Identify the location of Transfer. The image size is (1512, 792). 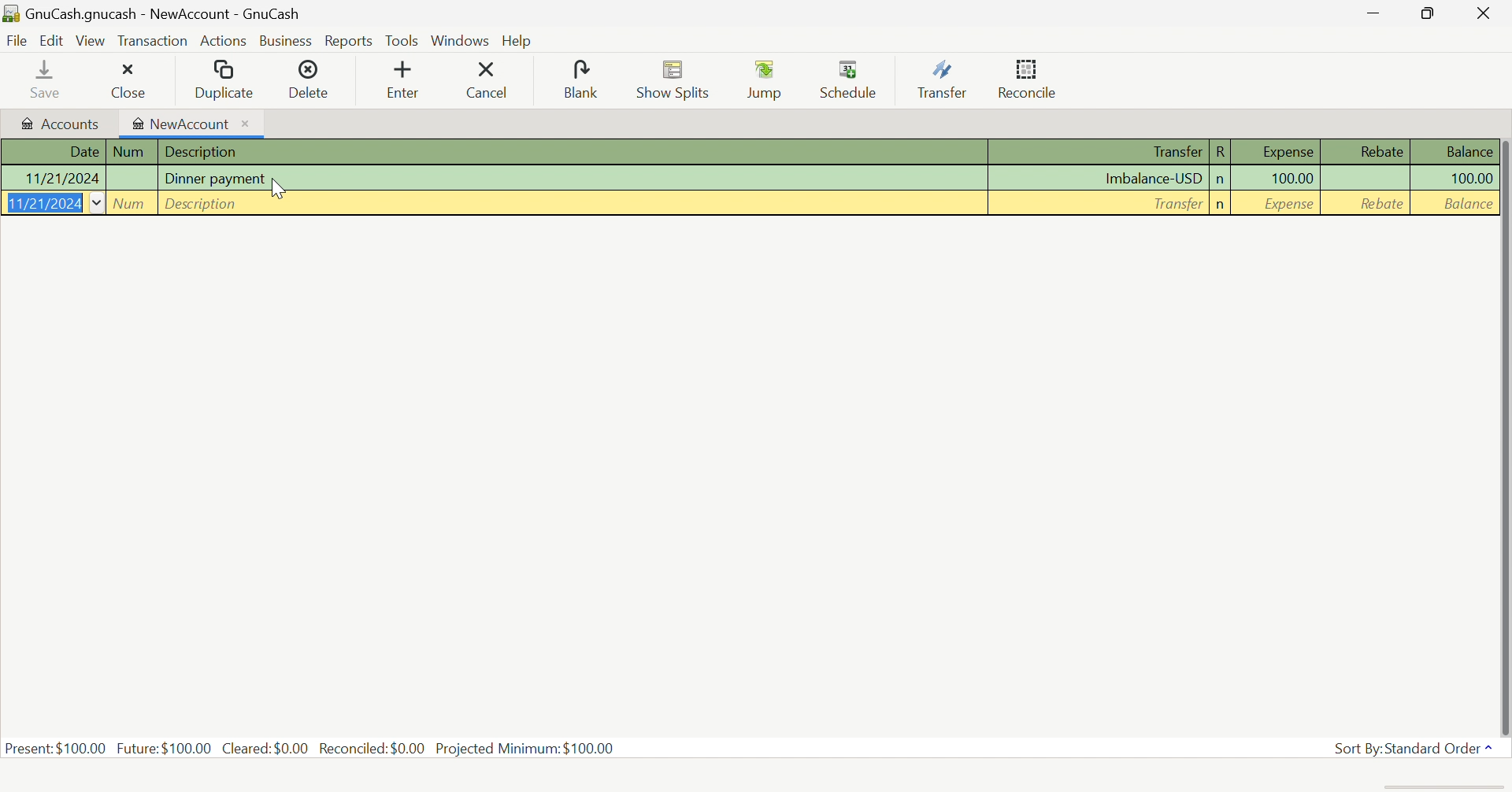
(1176, 153).